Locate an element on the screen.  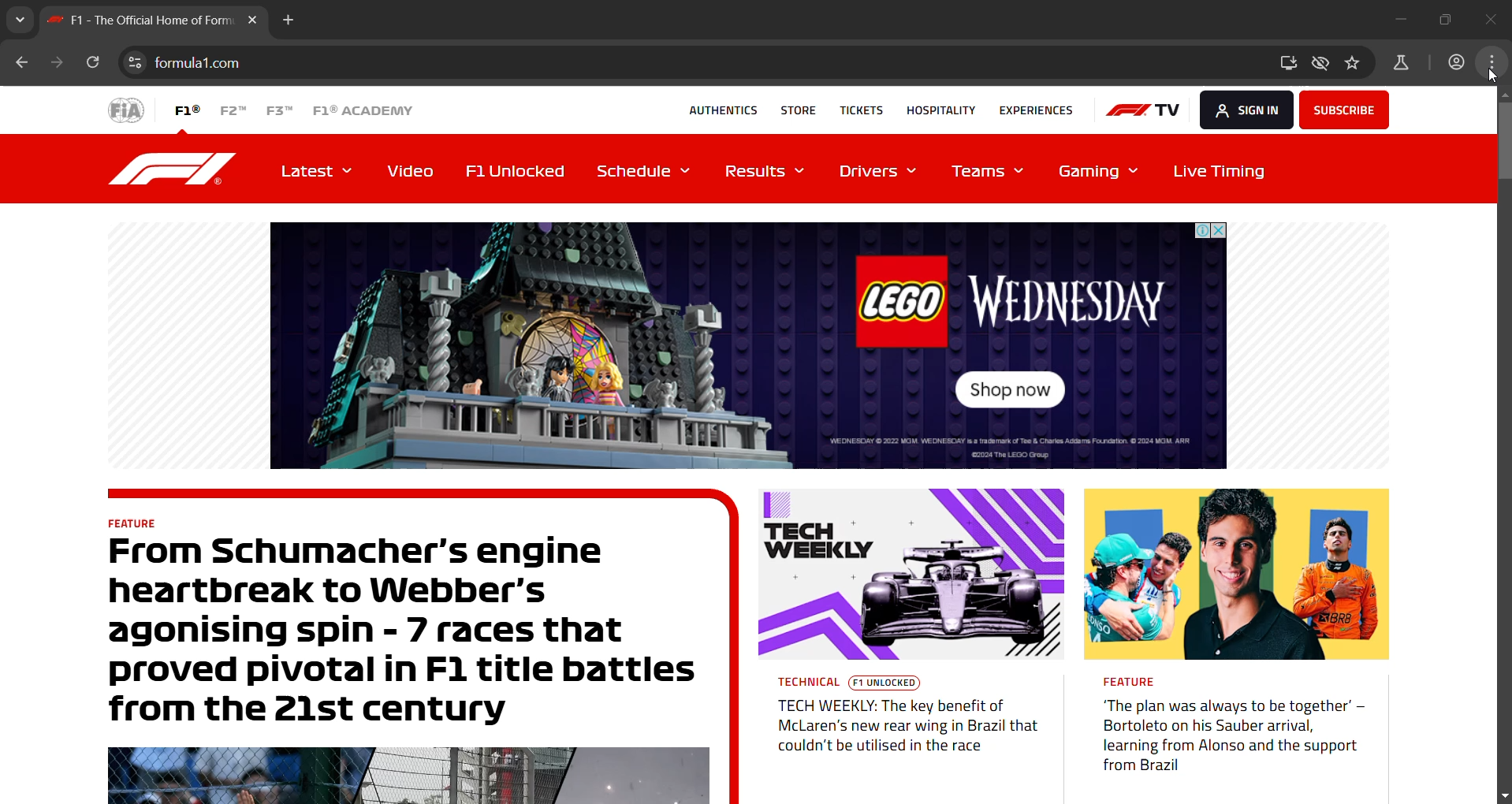
f1 the official home of form  is located at coordinates (156, 24).